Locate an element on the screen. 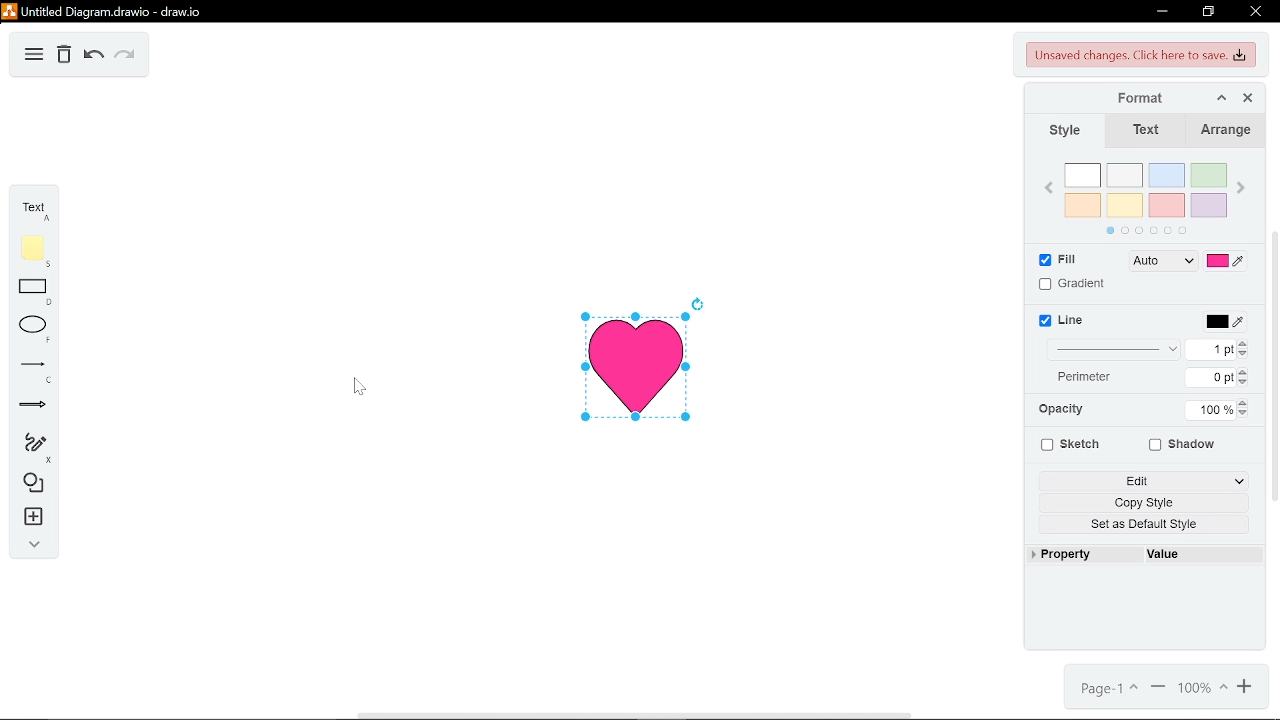 The height and width of the screenshot is (720, 1280). 100% is located at coordinates (1205, 688).